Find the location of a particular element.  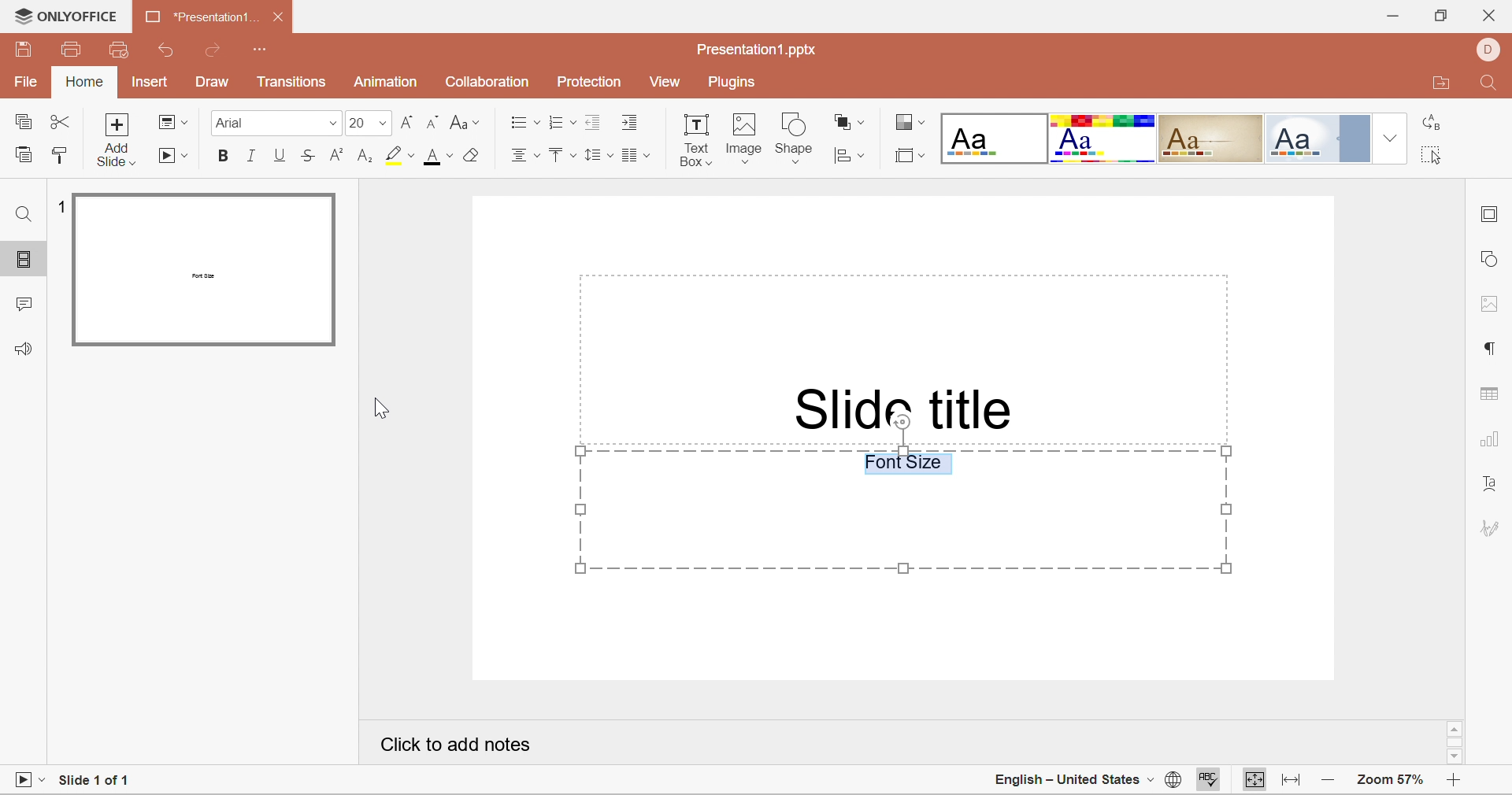

Print is located at coordinates (72, 50).